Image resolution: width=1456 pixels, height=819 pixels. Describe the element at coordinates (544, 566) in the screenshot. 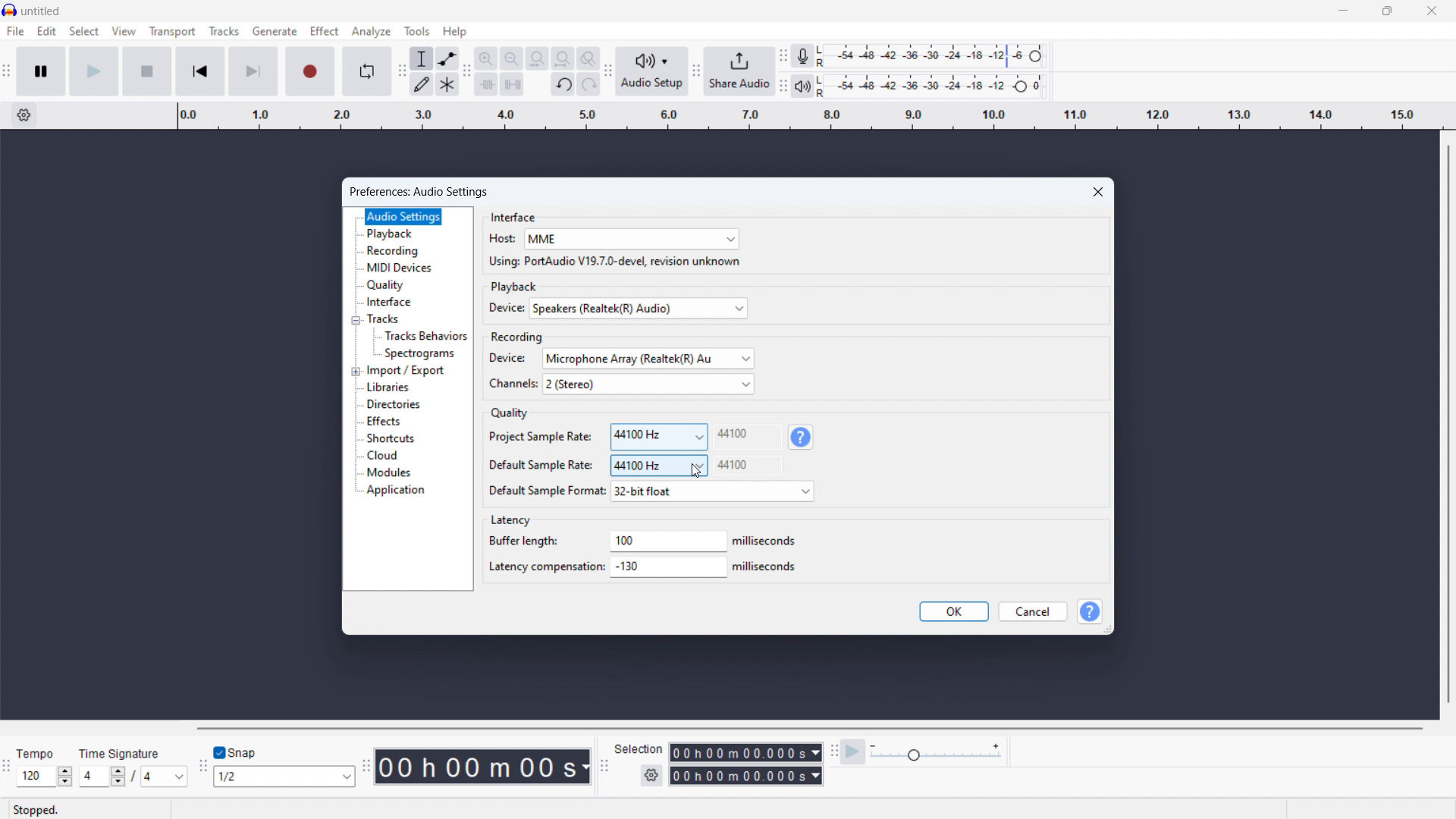

I see `Latency compensation` at that location.